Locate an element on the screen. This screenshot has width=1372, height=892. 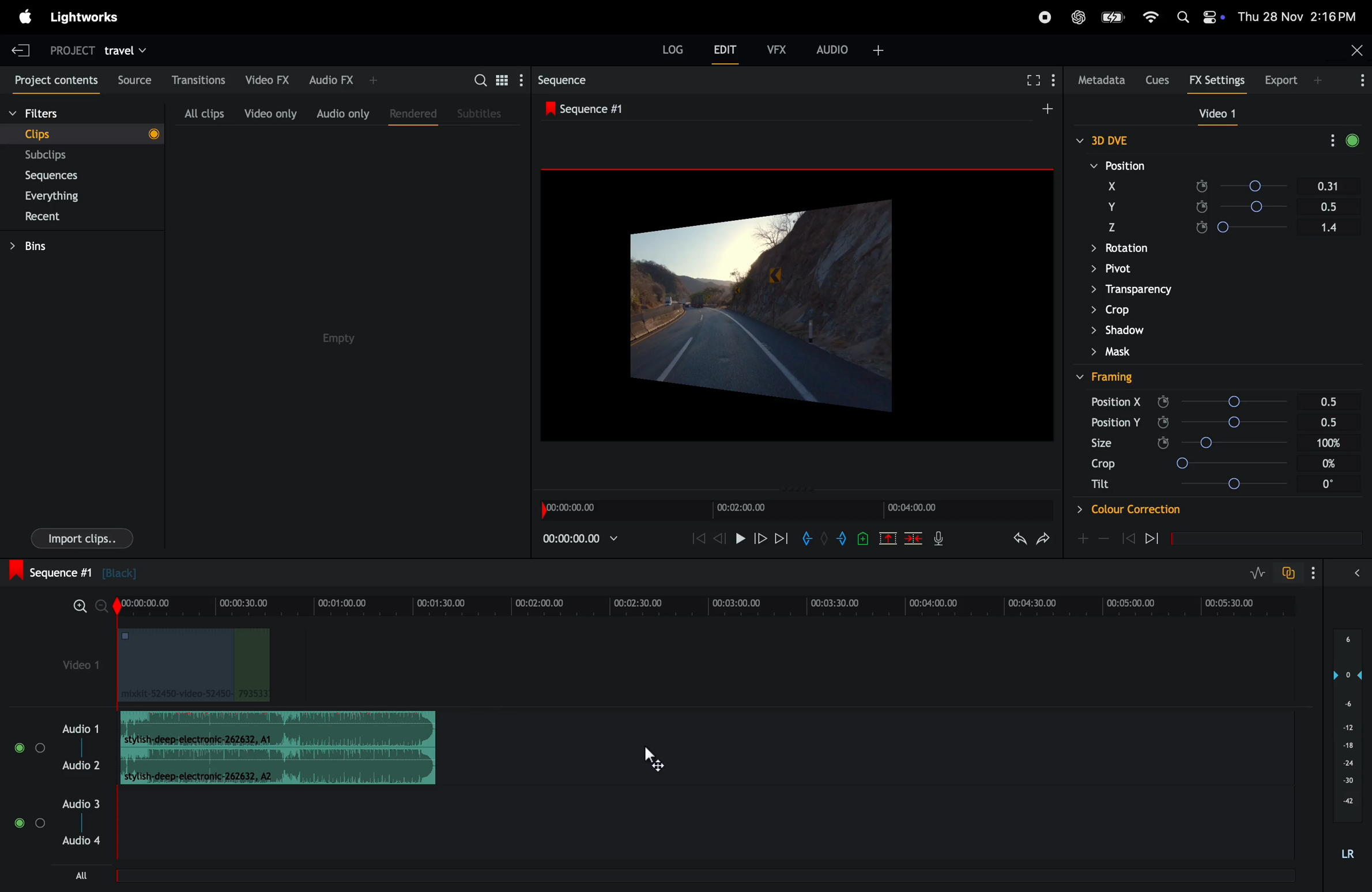
 is located at coordinates (1234, 422).